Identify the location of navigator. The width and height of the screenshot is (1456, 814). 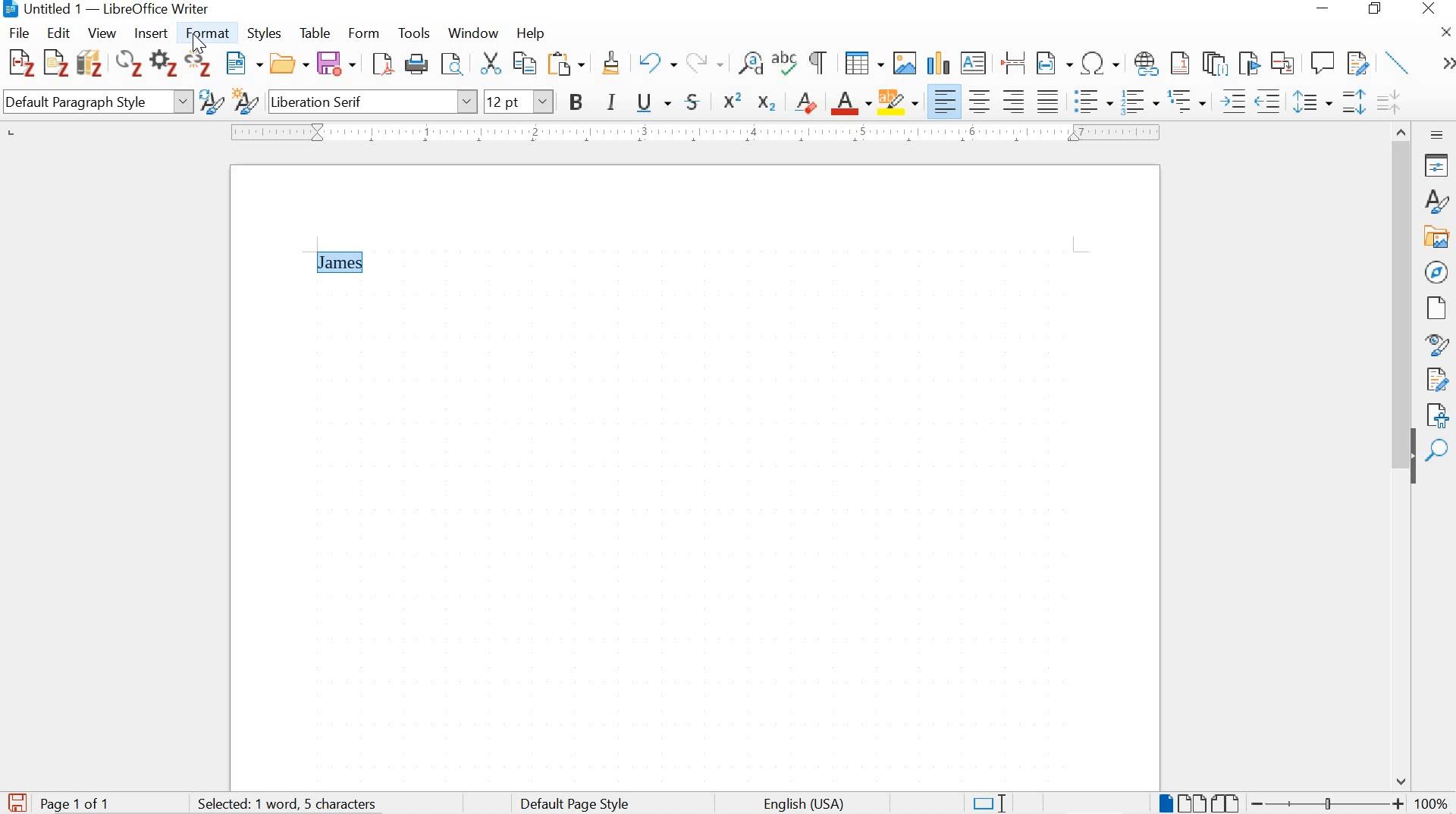
(1436, 271).